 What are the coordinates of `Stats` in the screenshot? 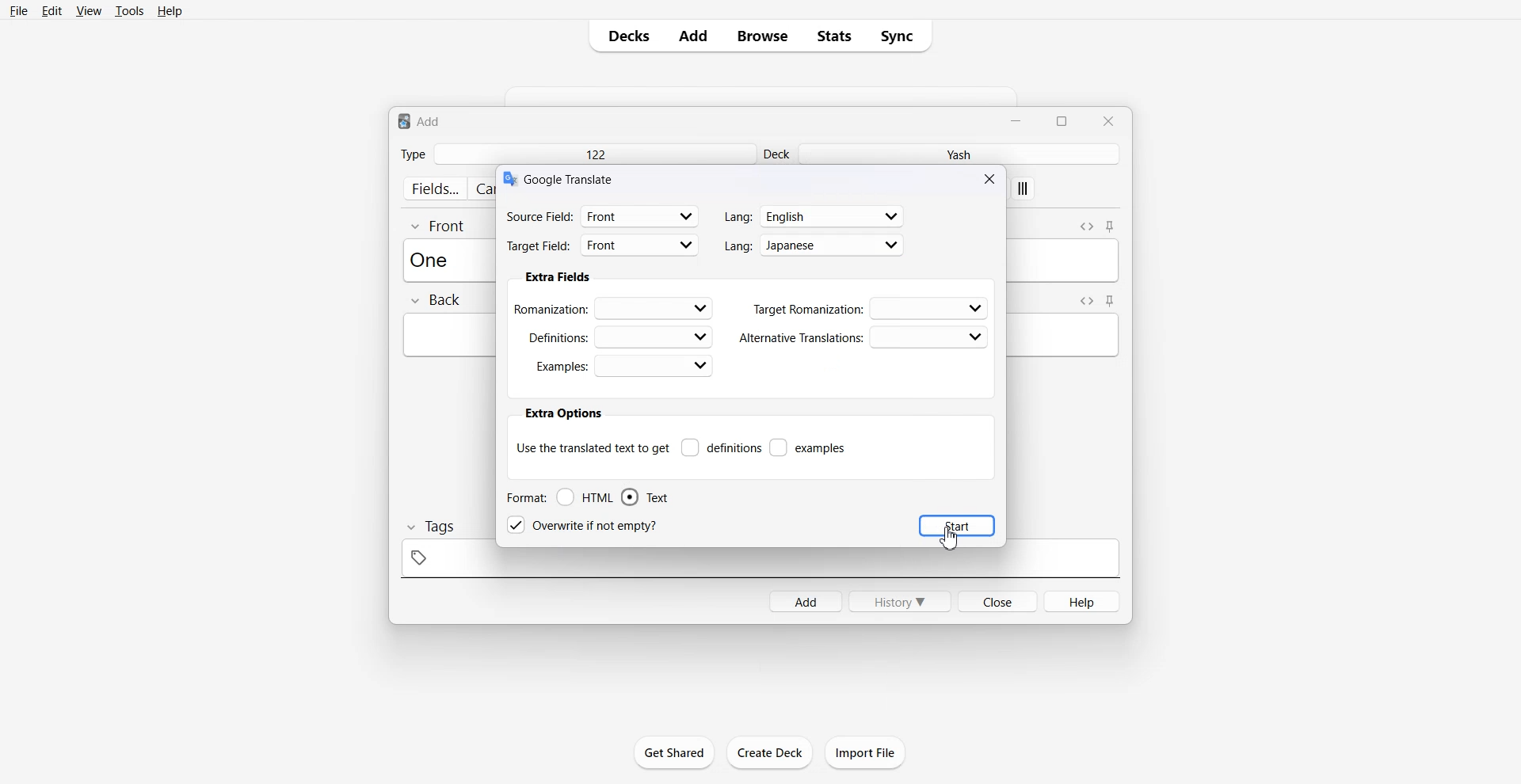 It's located at (833, 36).